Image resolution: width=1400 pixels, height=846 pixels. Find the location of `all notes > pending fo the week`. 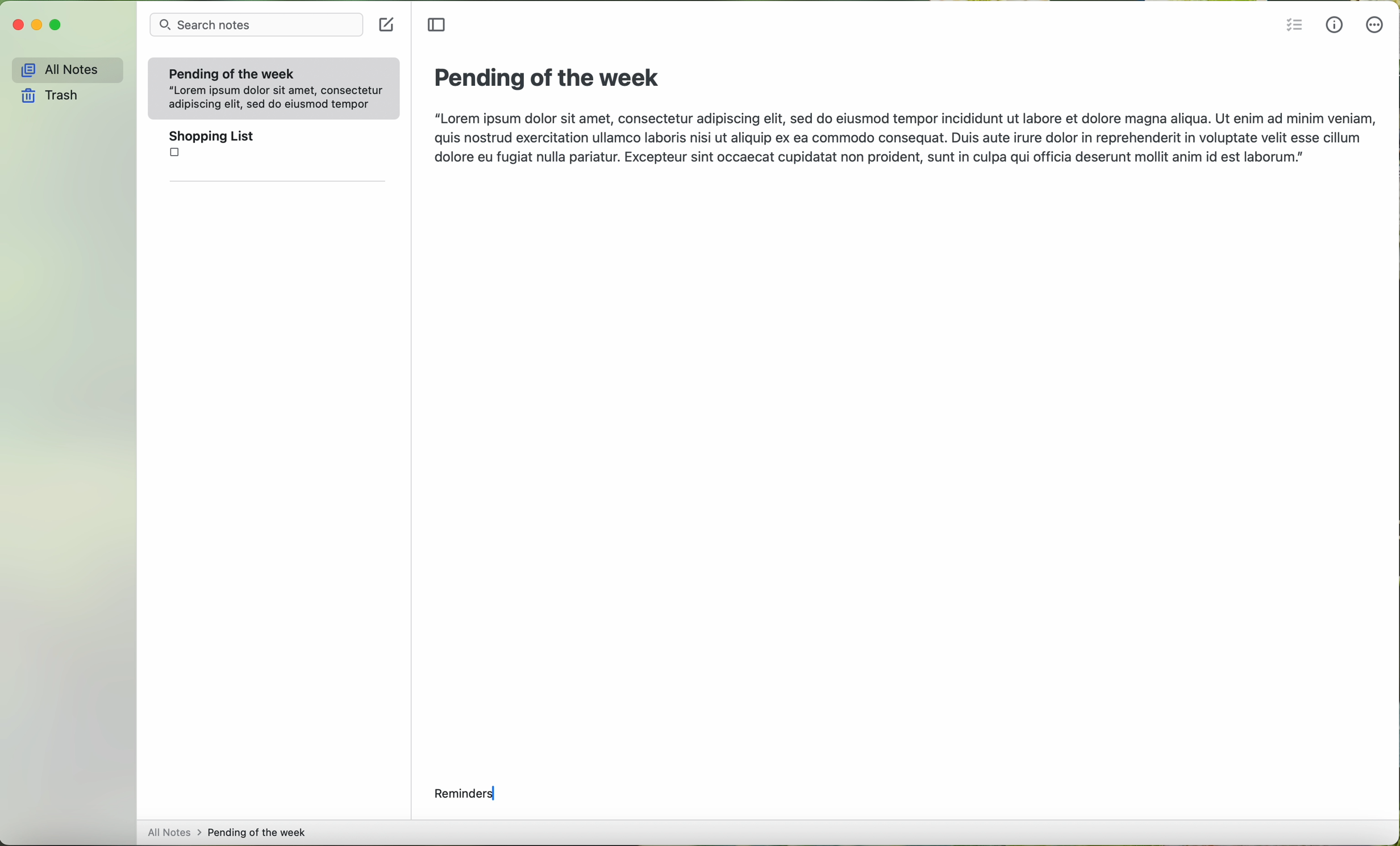

all notes > pending fo the week is located at coordinates (229, 830).